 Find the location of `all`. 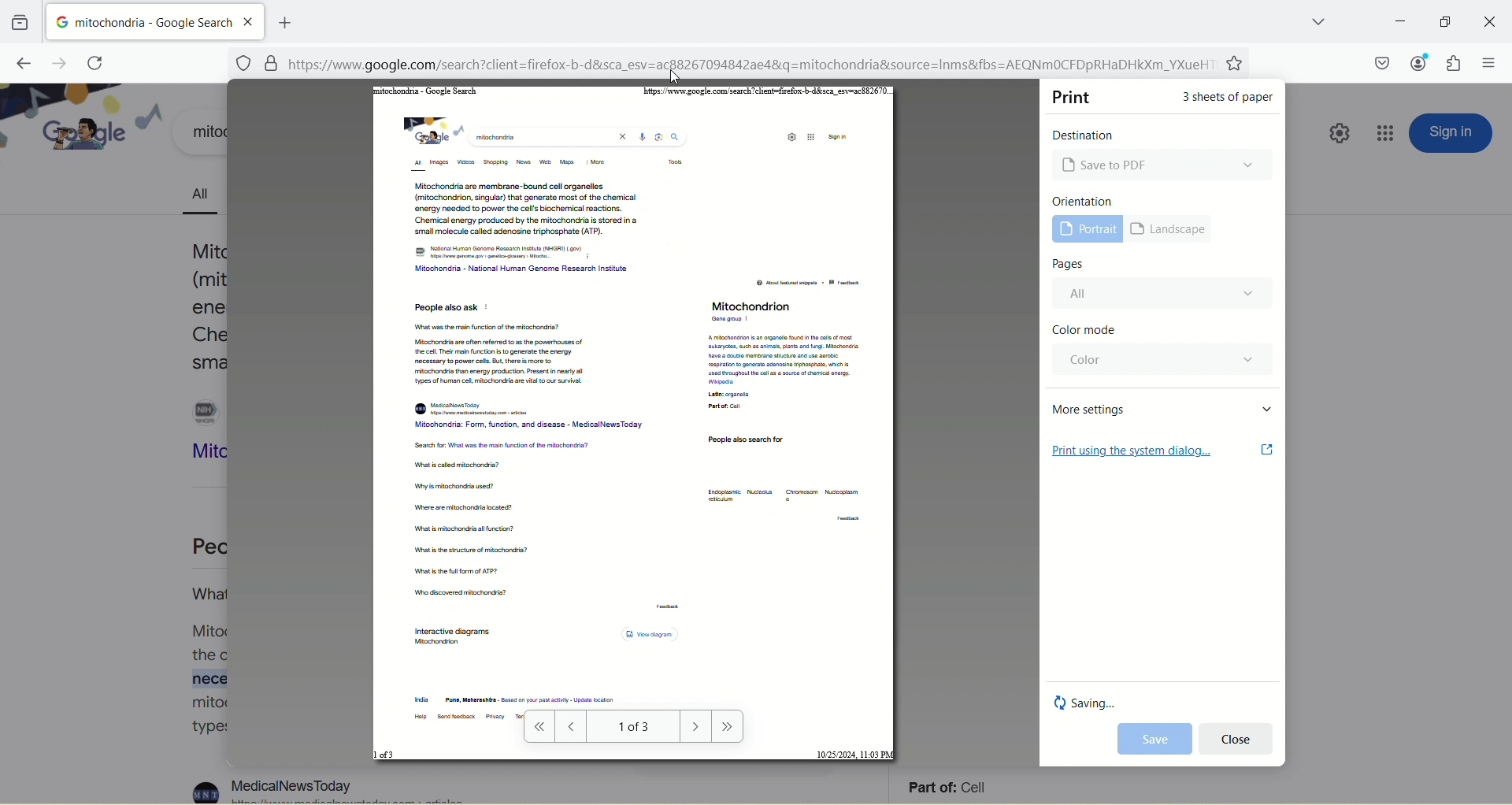

all is located at coordinates (1167, 294).